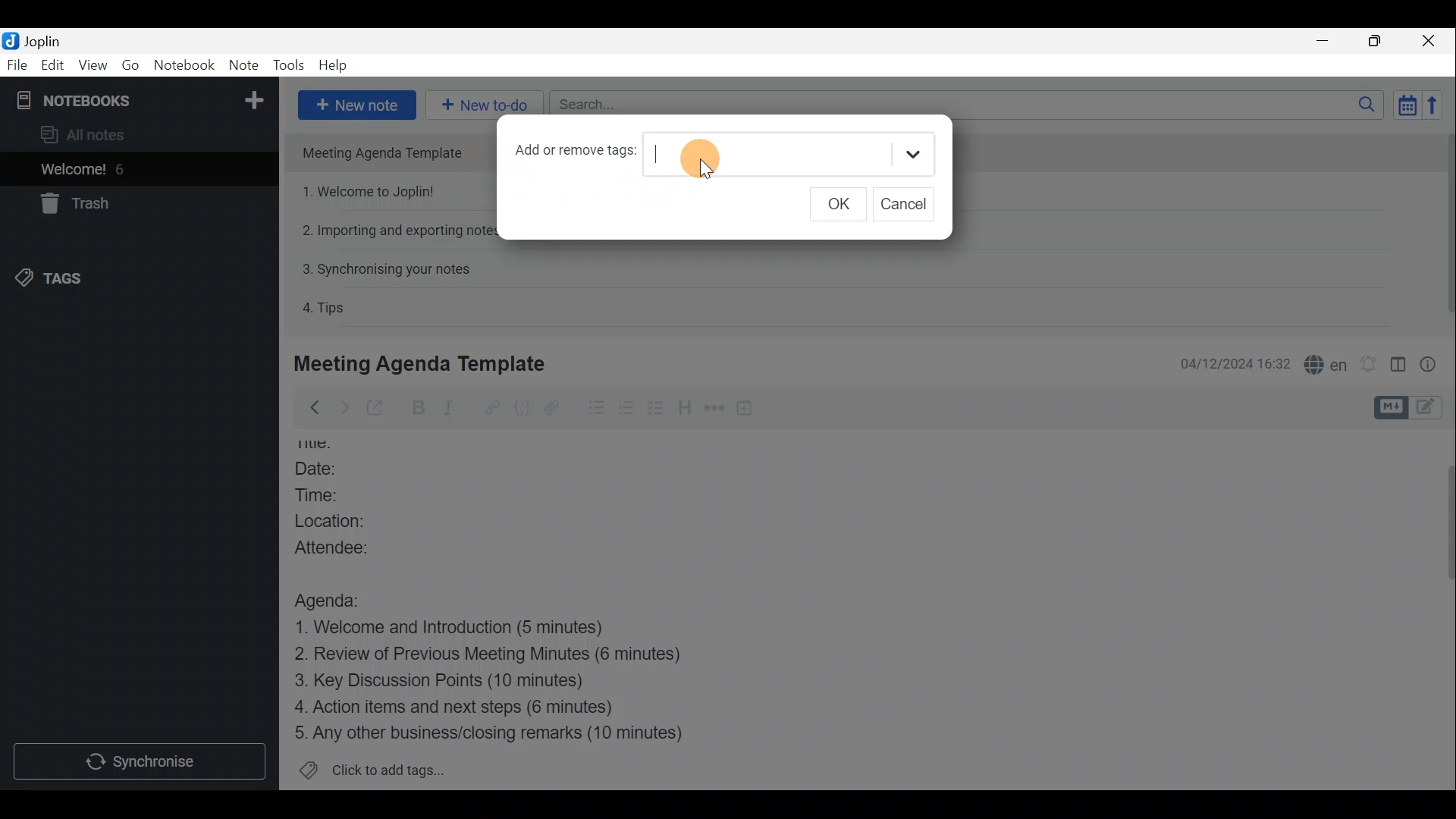  What do you see at coordinates (336, 65) in the screenshot?
I see `Help` at bounding box center [336, 65].